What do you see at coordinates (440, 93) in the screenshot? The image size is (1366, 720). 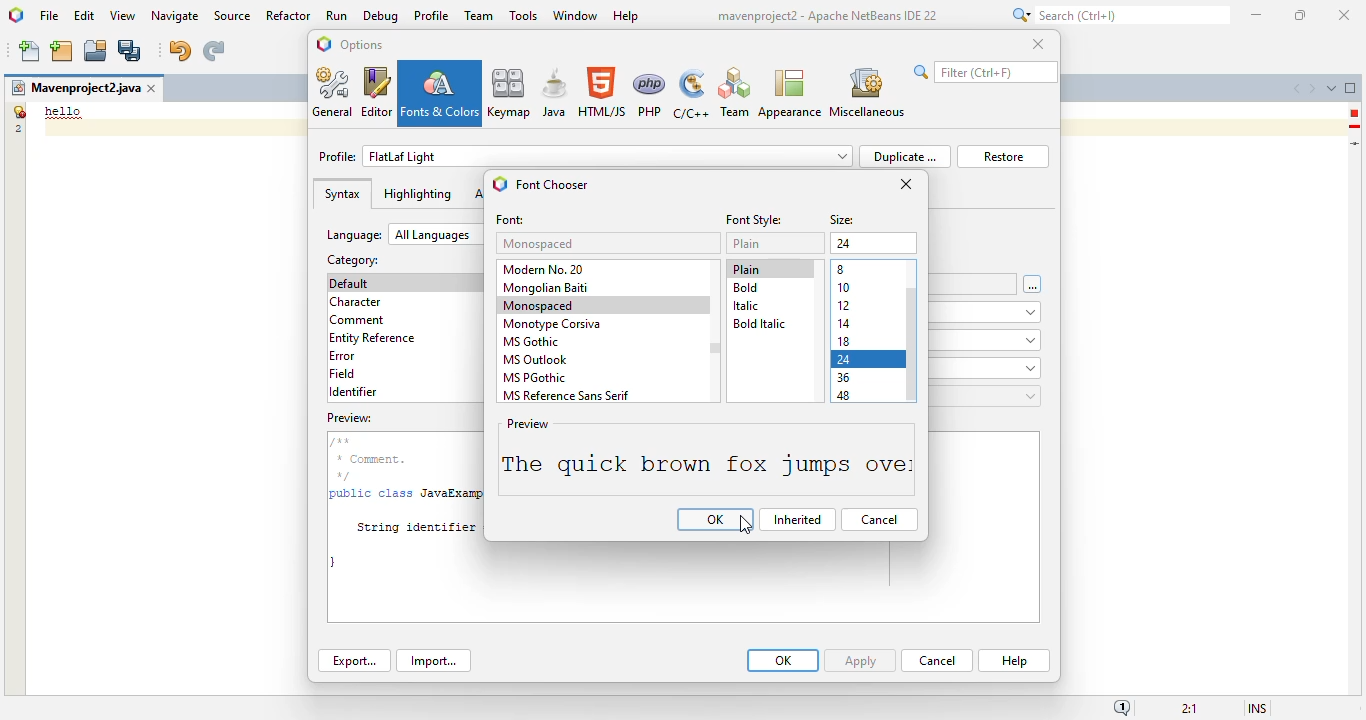 I see `fonts & colors` at bounding box center [440, 93].